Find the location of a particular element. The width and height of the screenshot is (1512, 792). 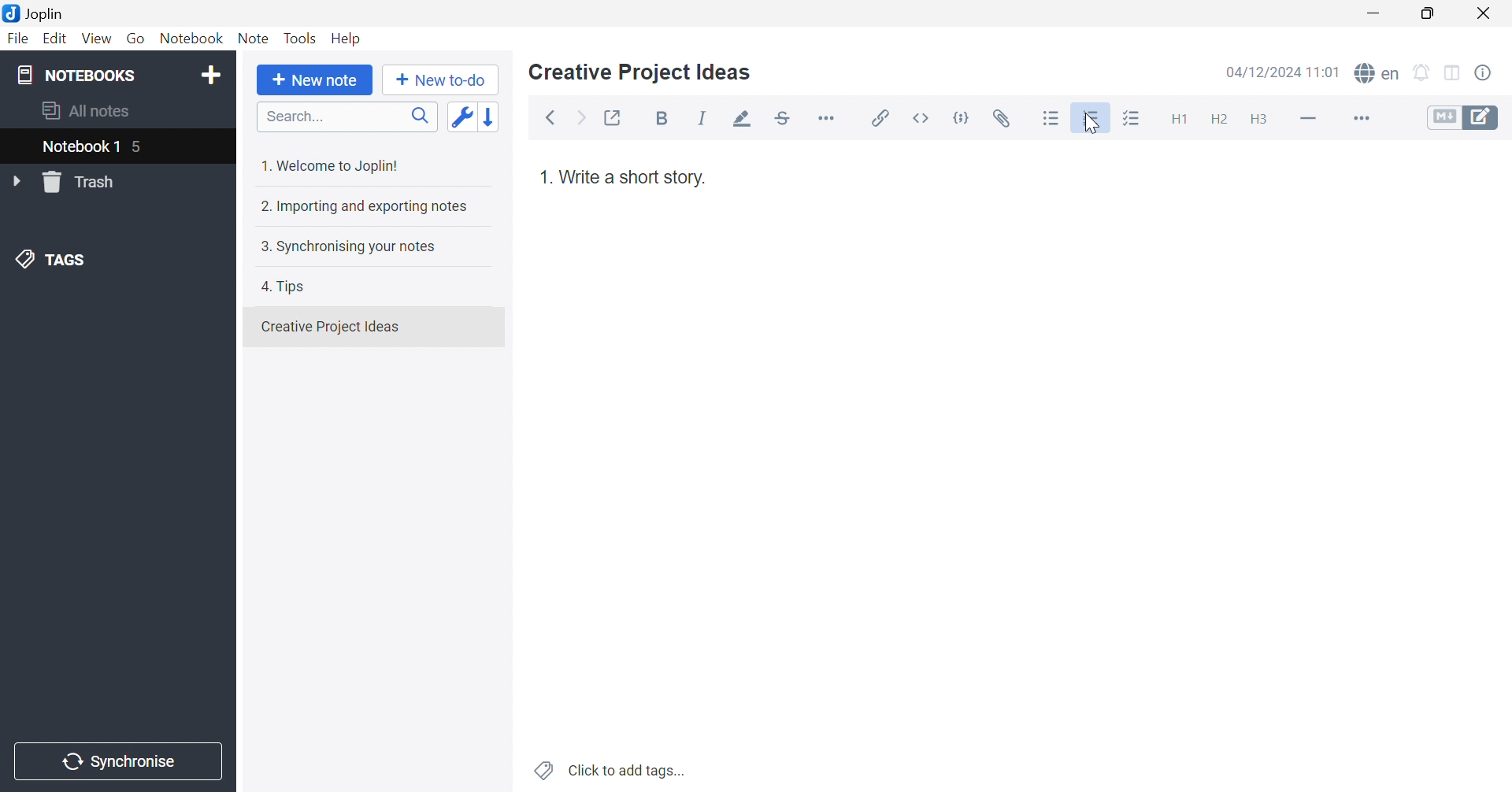

Notebook 1 is located at coordinates (79, 148).